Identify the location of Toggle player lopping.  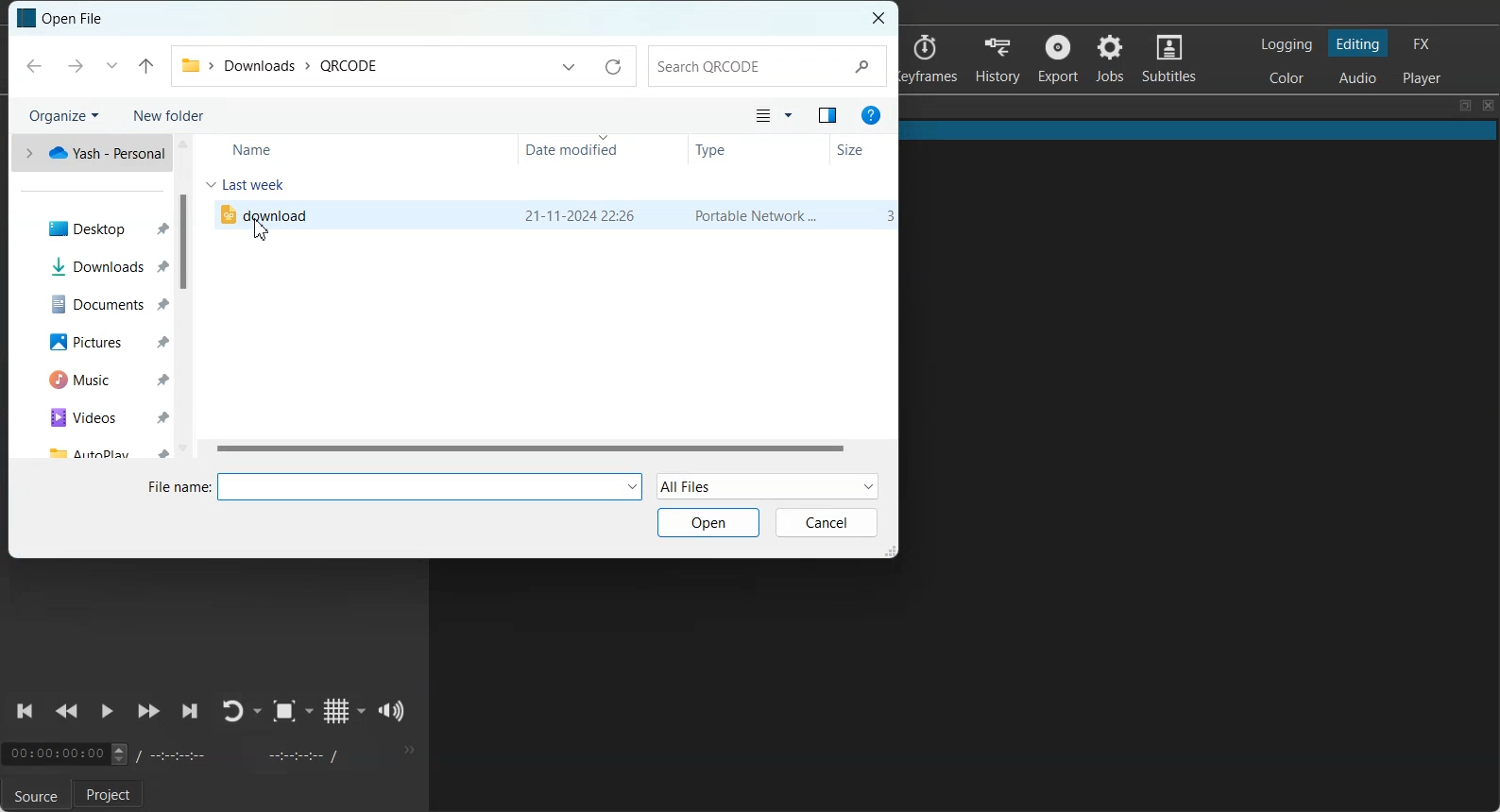
(233, 711).